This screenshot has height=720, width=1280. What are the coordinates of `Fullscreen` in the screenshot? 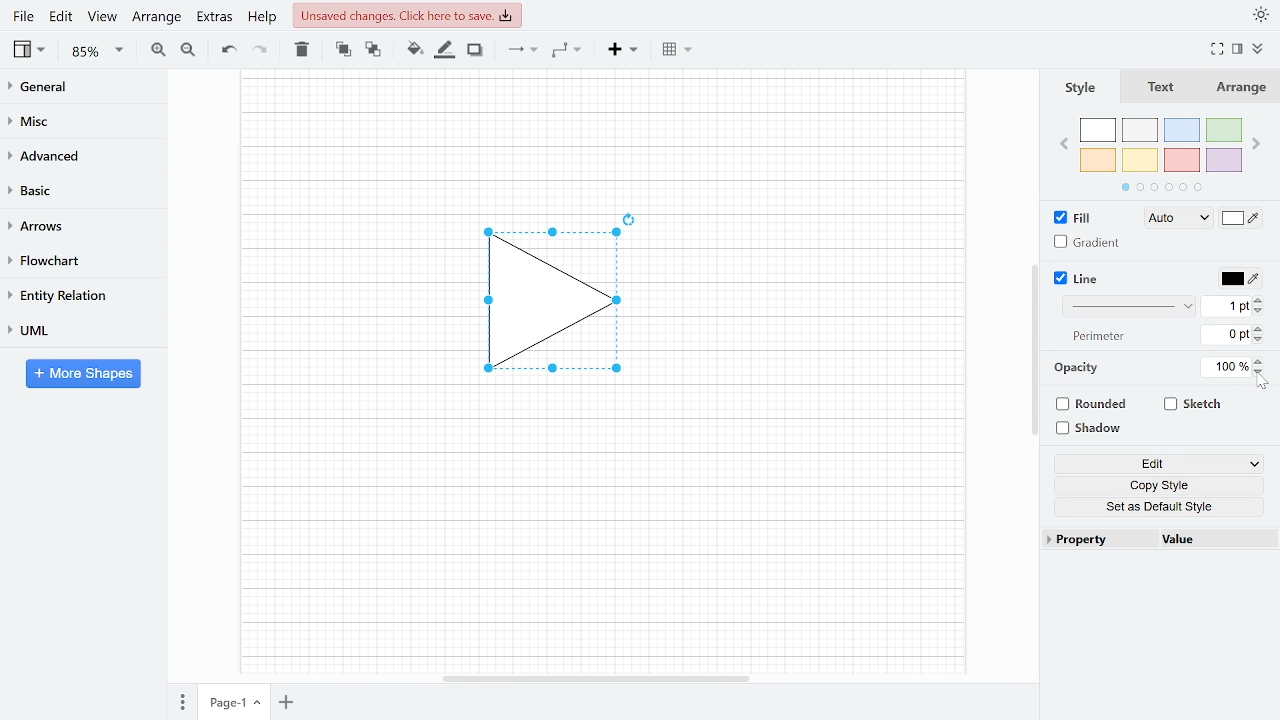 It's located at (1220, 49).